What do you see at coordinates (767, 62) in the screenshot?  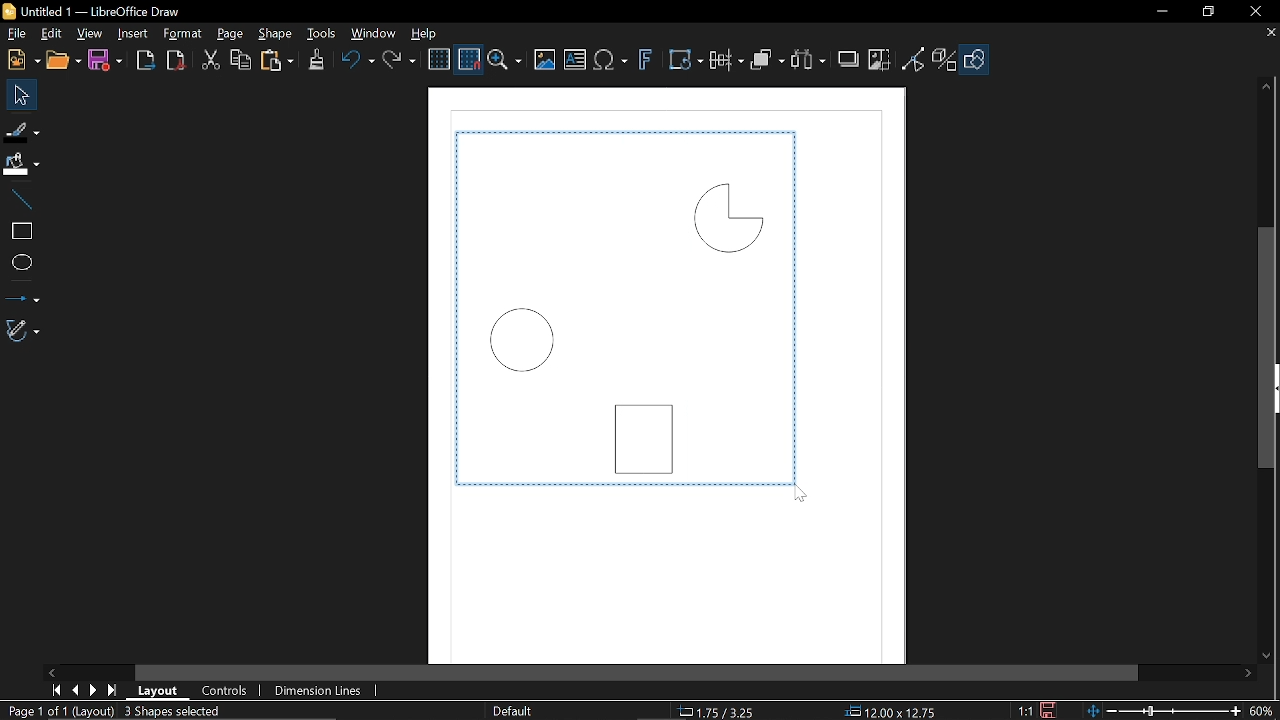 I see `Arrange` at bounding box center [767, 62].